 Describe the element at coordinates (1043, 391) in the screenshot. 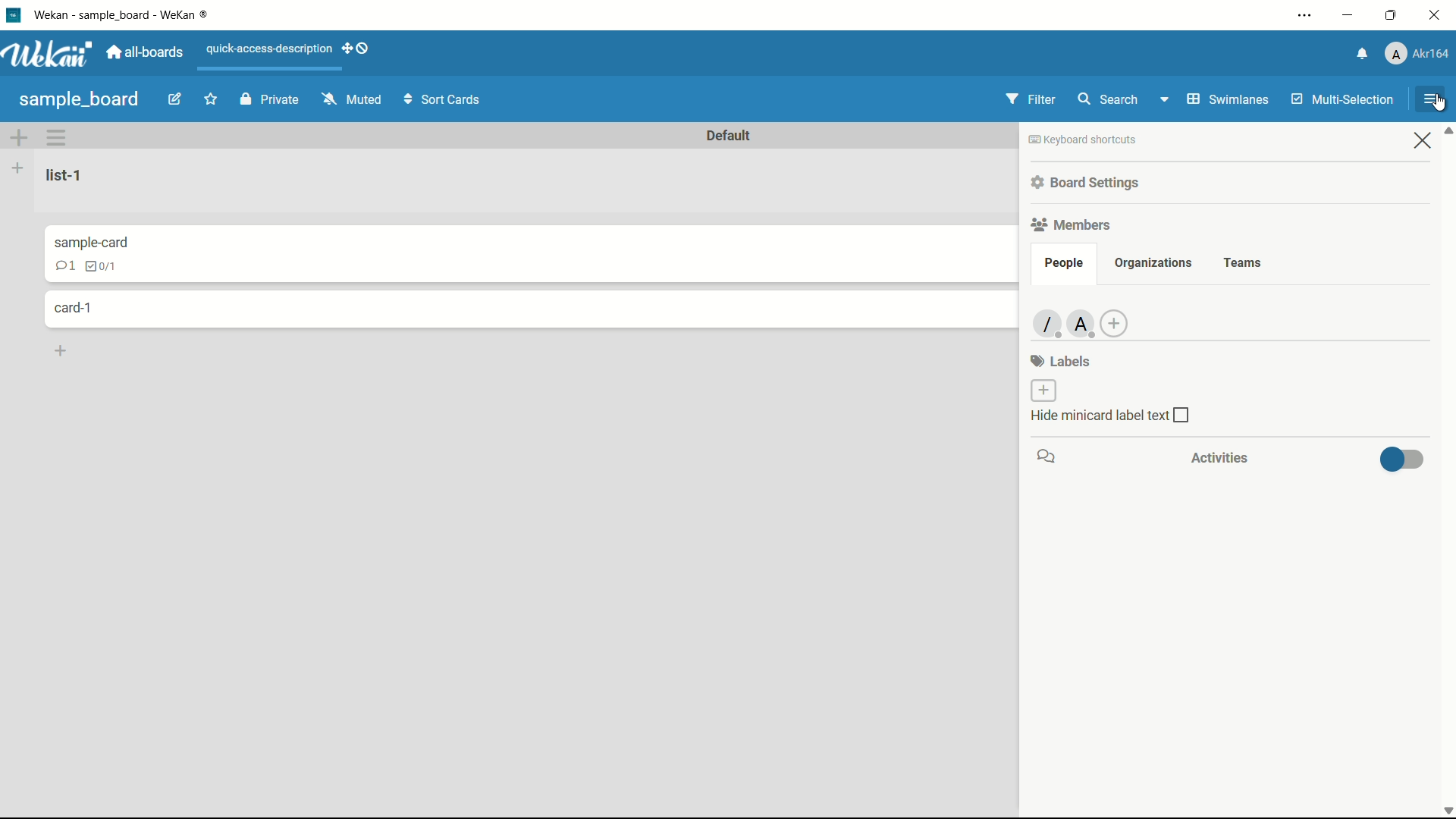

I see `add label` at that location.